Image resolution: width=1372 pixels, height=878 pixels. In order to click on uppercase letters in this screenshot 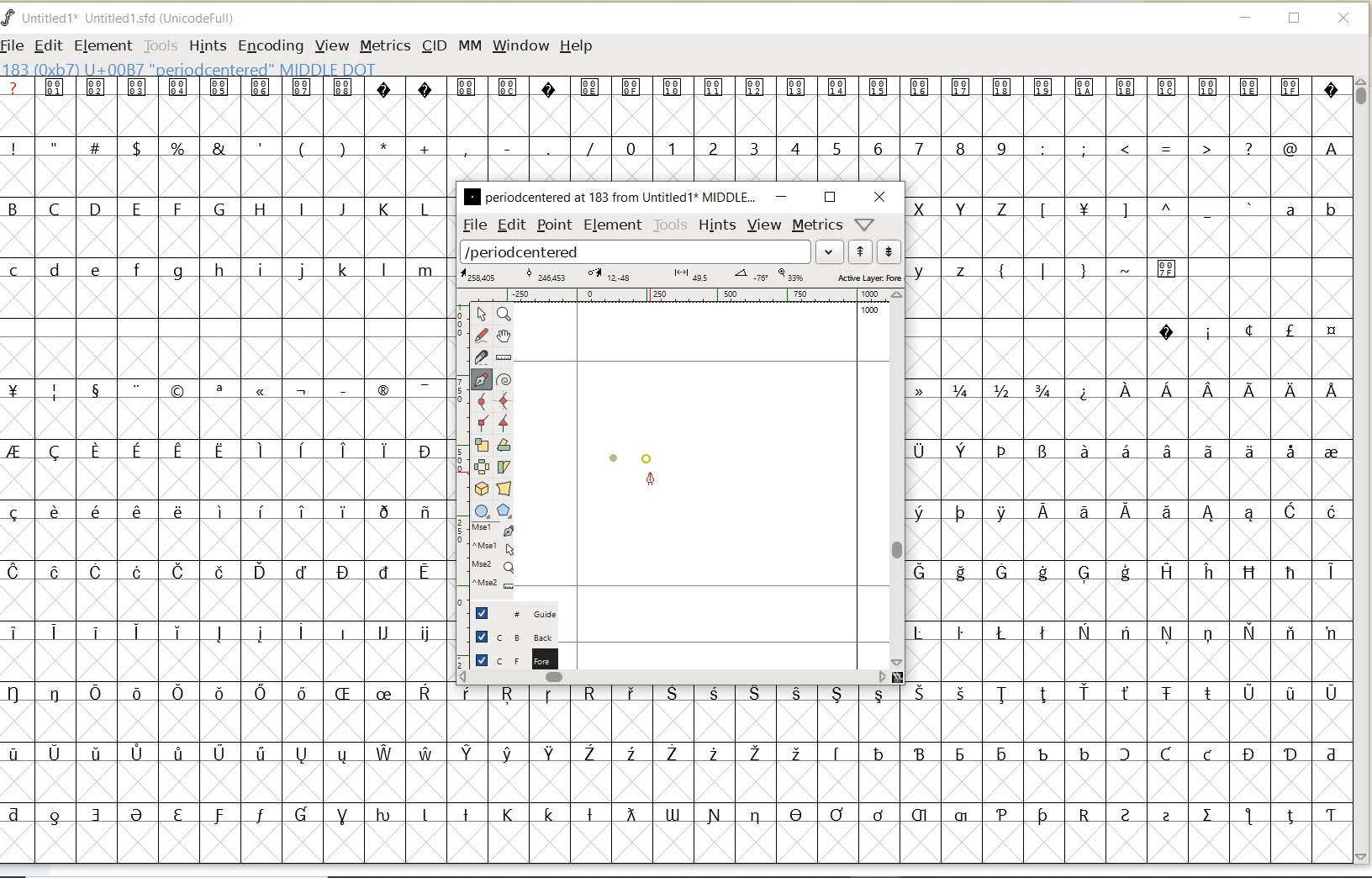, I will do `click(221, 209)`.